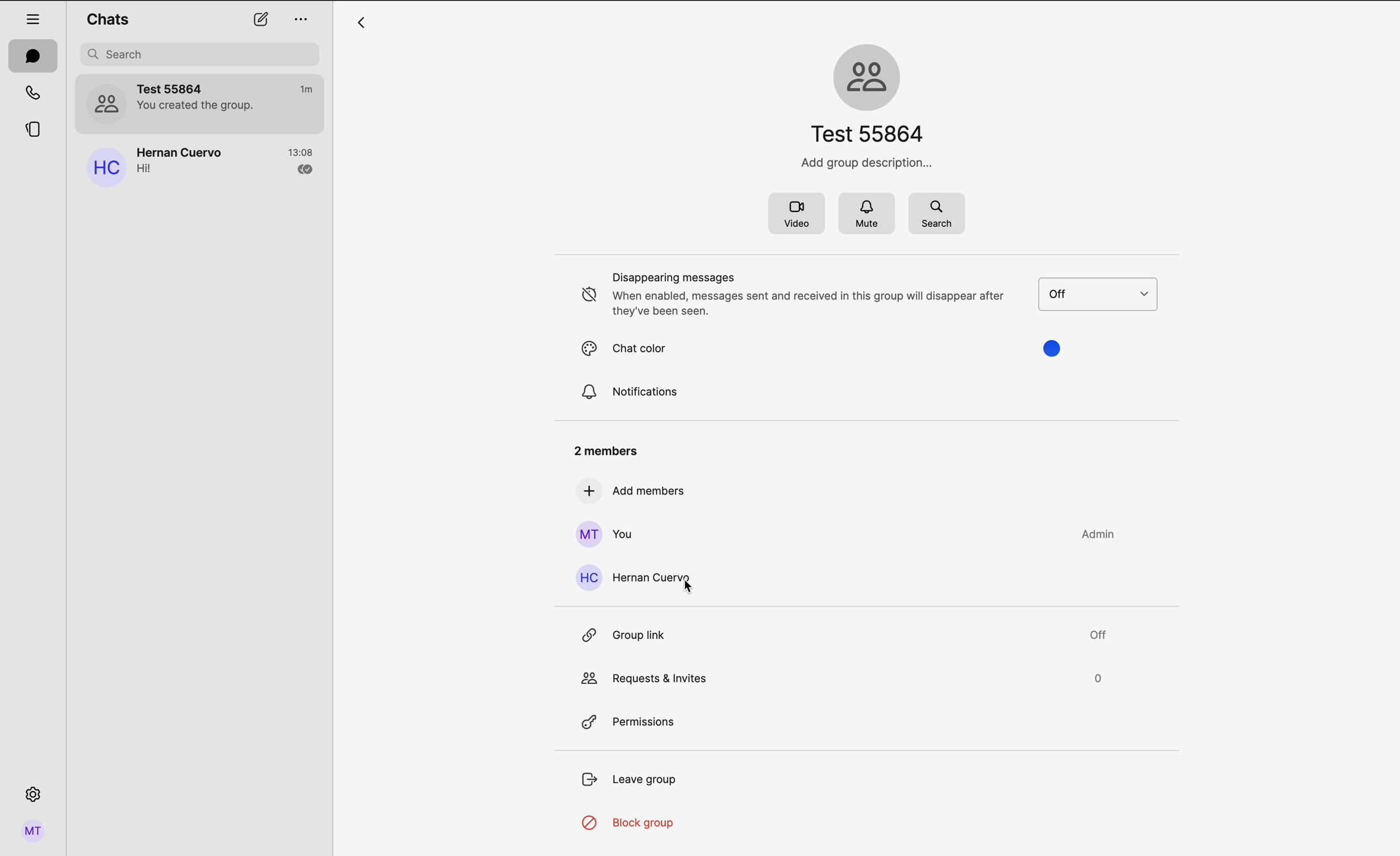 Image resolution: width=1400 pixels, height=856 pixels. Describe the element at coordinates (936, 213) in the screenshot. I see `search` at that location.